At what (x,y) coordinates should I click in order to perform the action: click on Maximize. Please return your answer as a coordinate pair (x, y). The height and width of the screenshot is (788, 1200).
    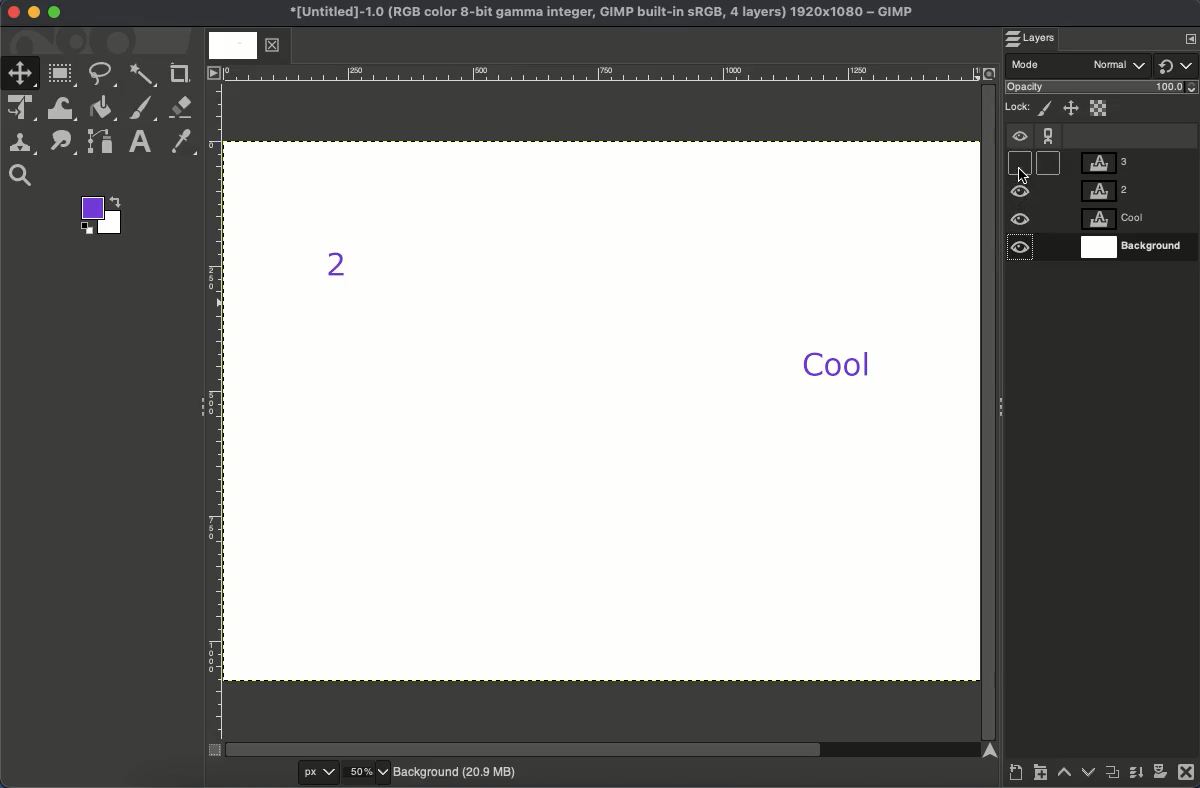
    Looking at the image, I should click on (55, 15).